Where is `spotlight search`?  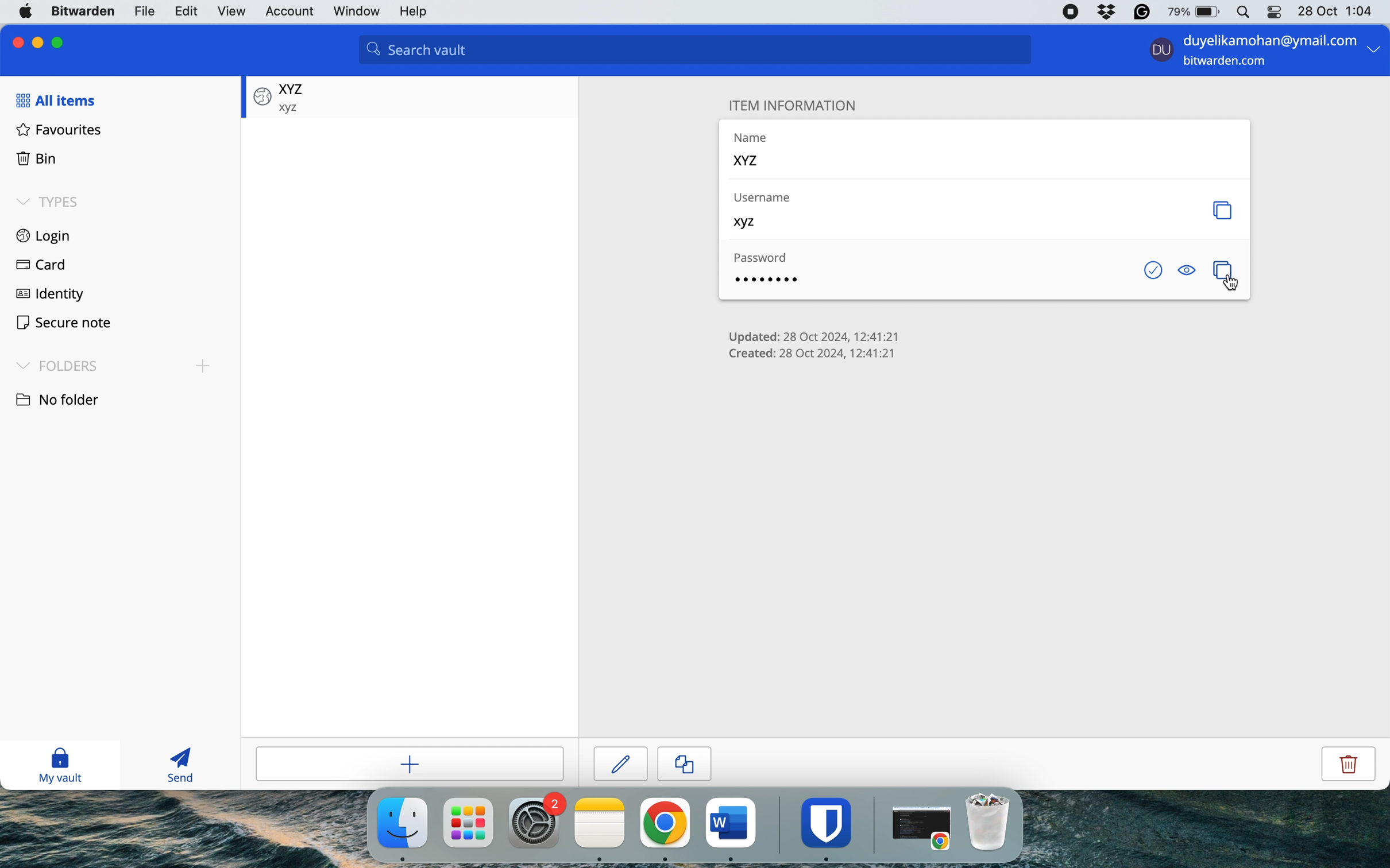 spotlight search is located at coordinates (1241, 13).